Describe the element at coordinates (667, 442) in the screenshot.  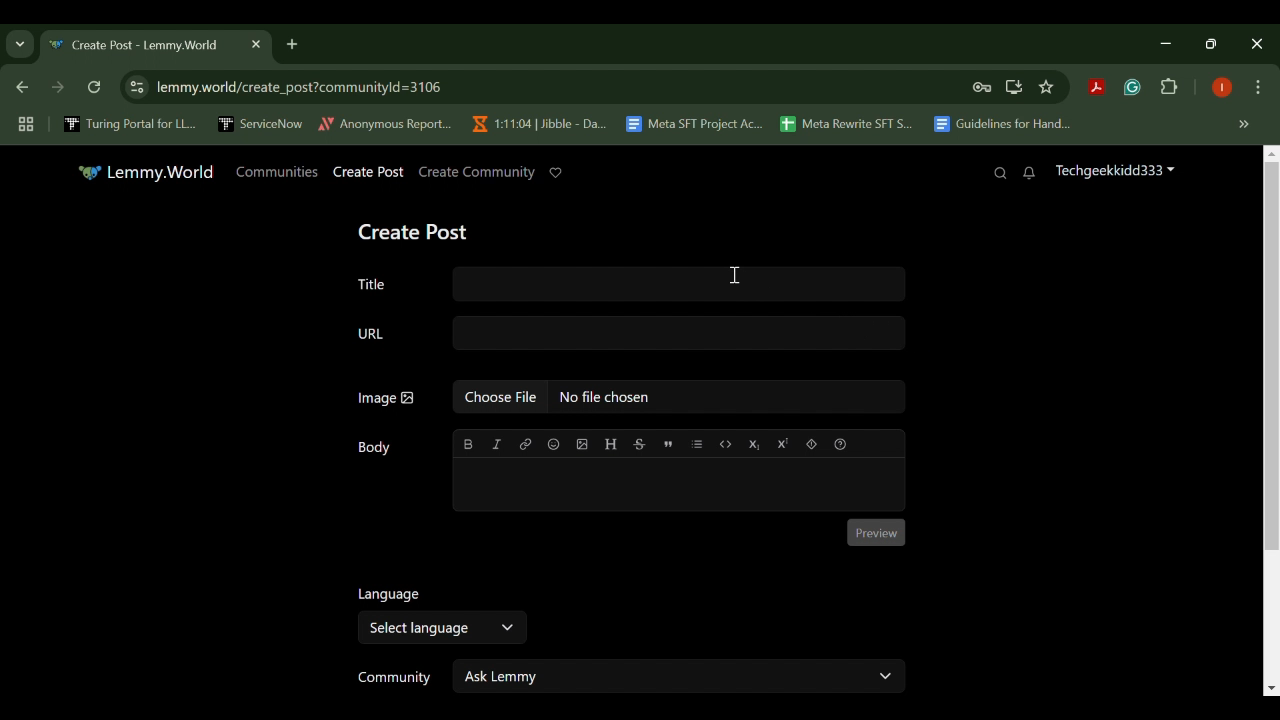
I see `quote` at that location.